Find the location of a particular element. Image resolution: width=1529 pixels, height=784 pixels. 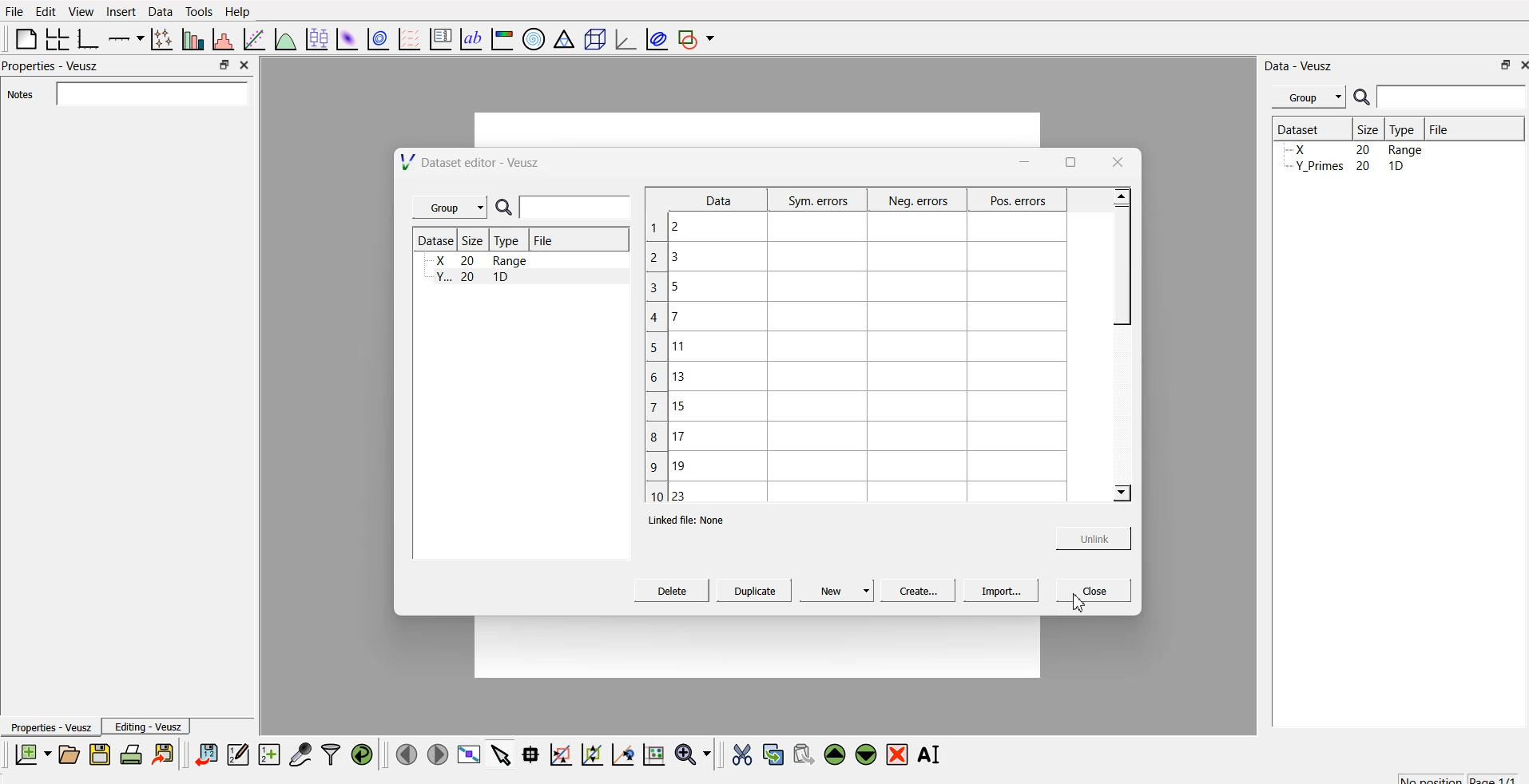

paste the widget from the clipboard is located at coordinates (804, 754).